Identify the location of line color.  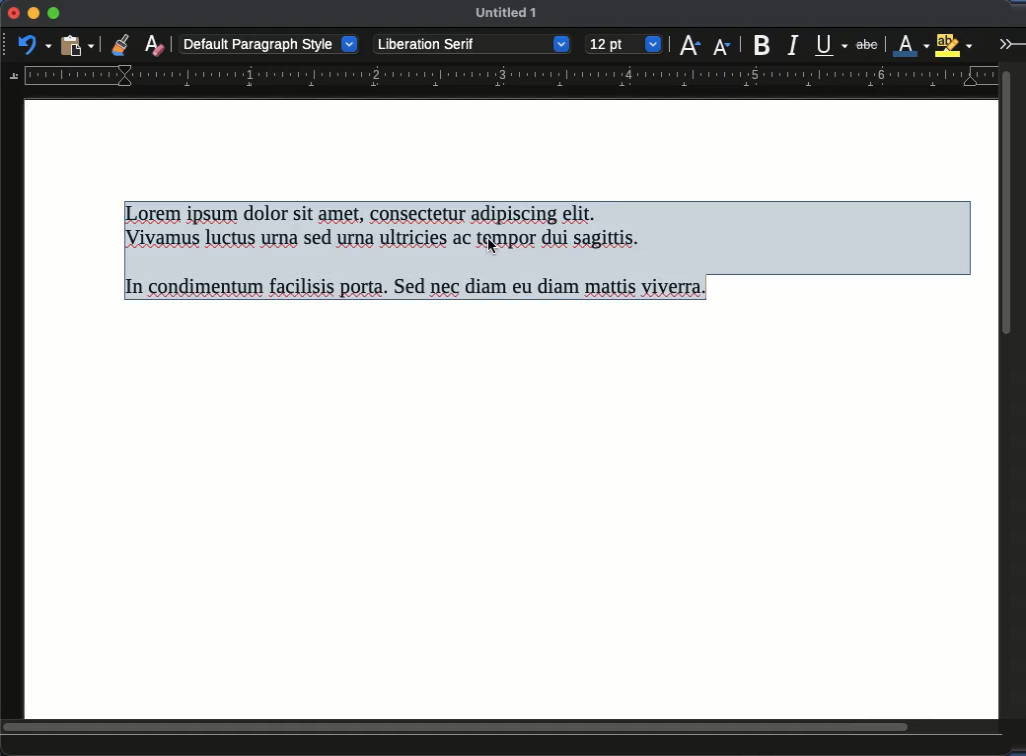
(911, 44).